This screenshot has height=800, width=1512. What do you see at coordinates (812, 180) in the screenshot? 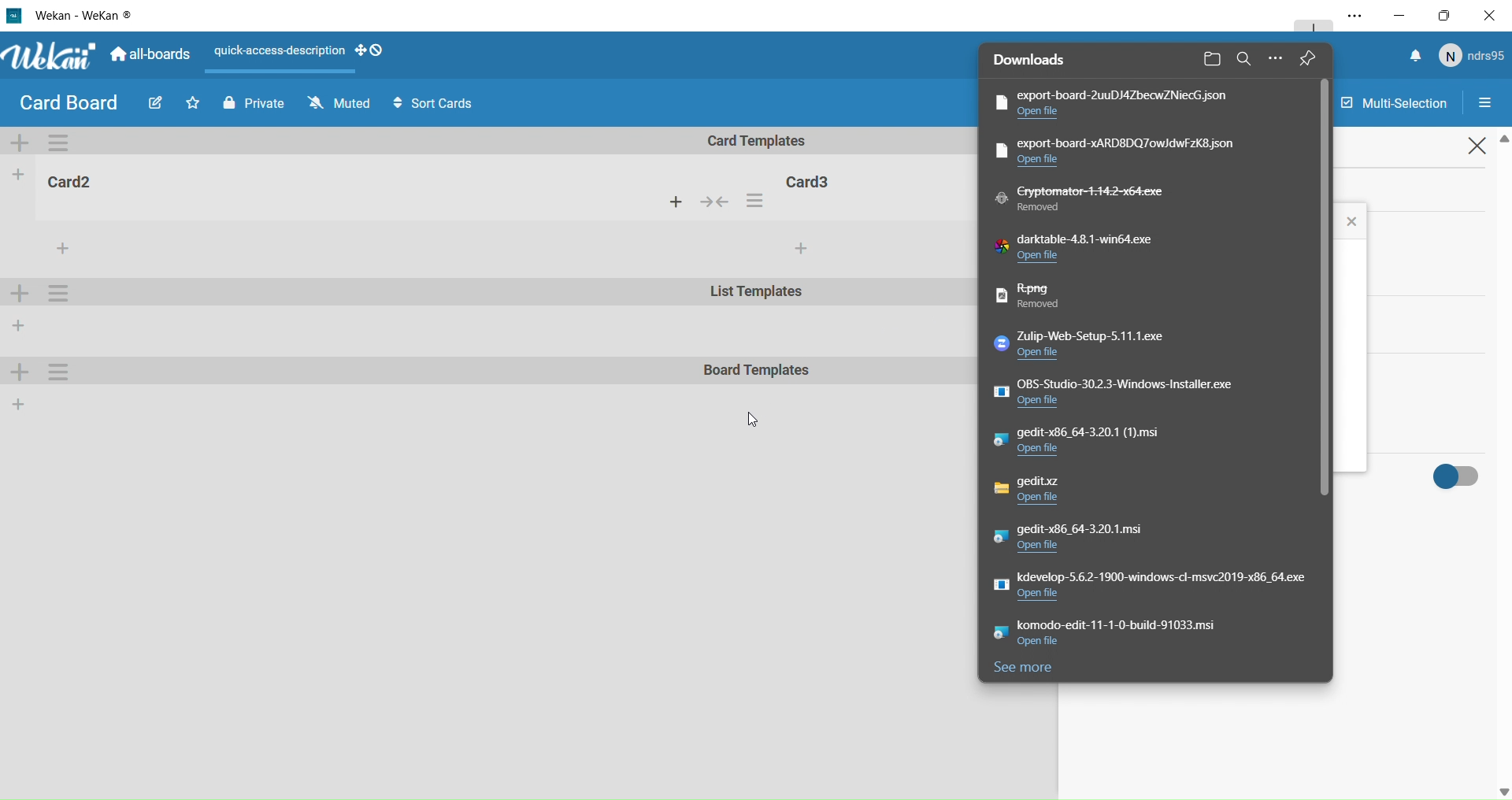
I see `Card3` at bounding box center [812, 180].